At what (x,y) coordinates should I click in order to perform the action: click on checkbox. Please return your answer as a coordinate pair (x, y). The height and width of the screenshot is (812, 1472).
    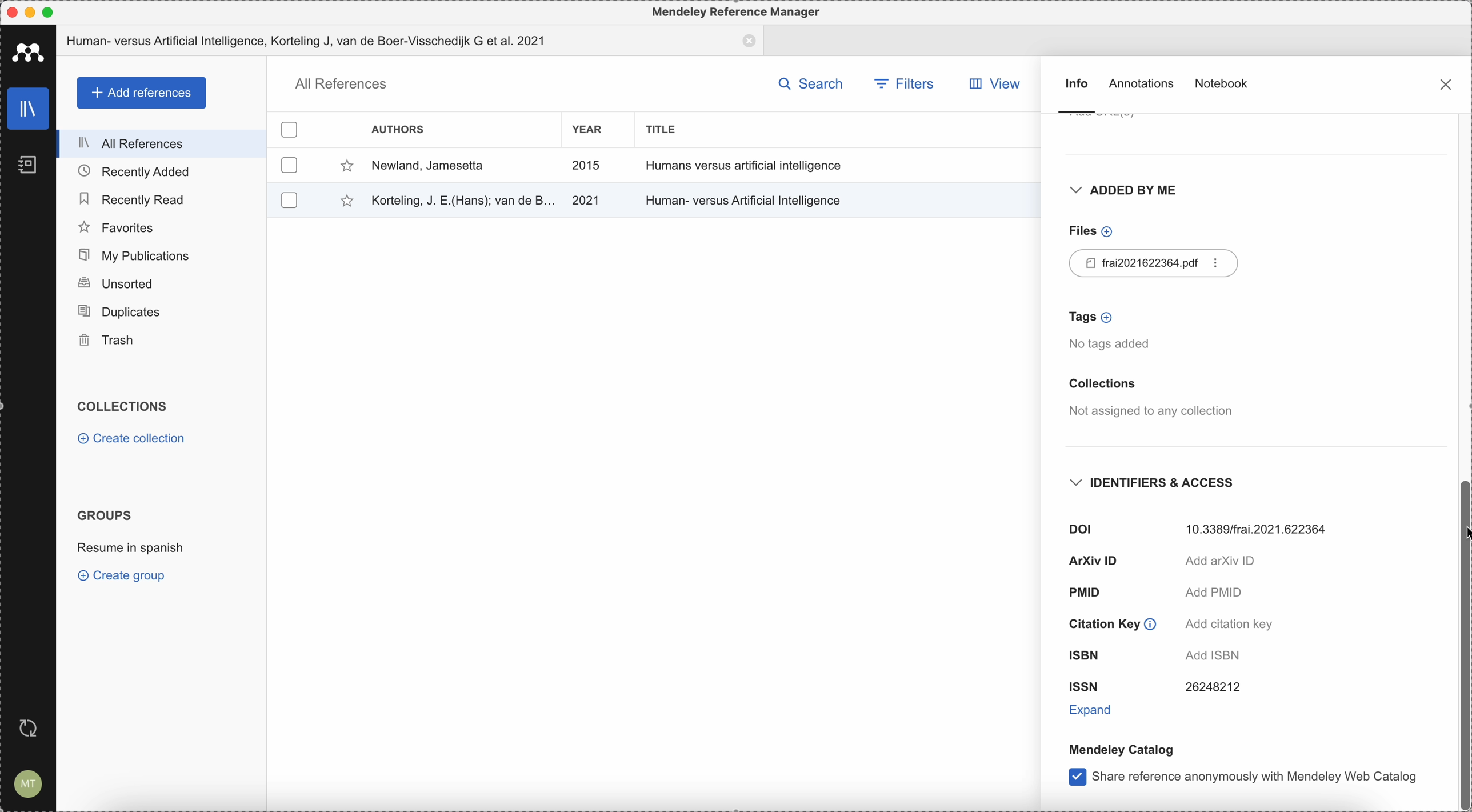
    Looking at the image, I should click on (290, 165).